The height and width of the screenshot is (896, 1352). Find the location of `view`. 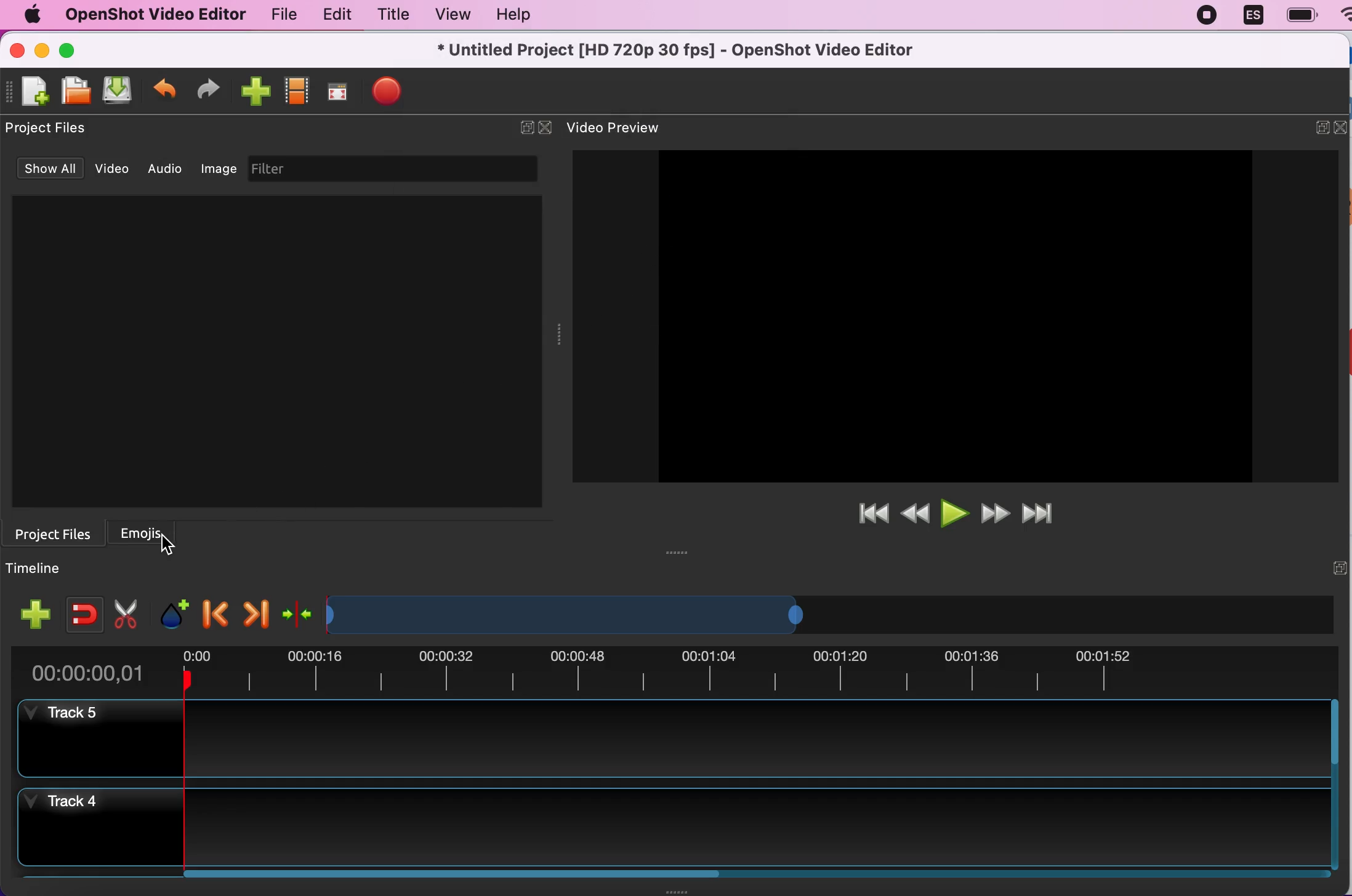

view is located at coordinates (446, 15).